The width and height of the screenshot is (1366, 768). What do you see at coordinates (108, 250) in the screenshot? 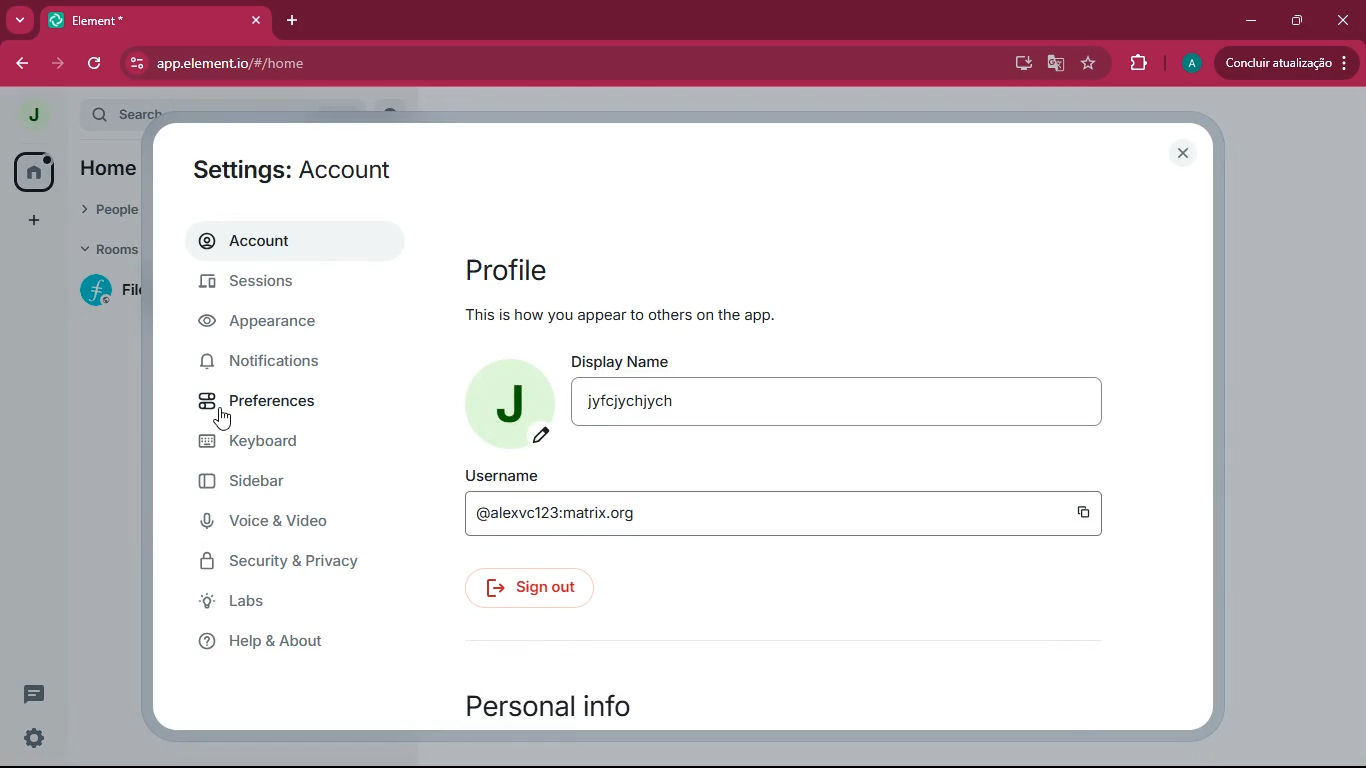
I see `rooms` at bounding box center [108, 250].